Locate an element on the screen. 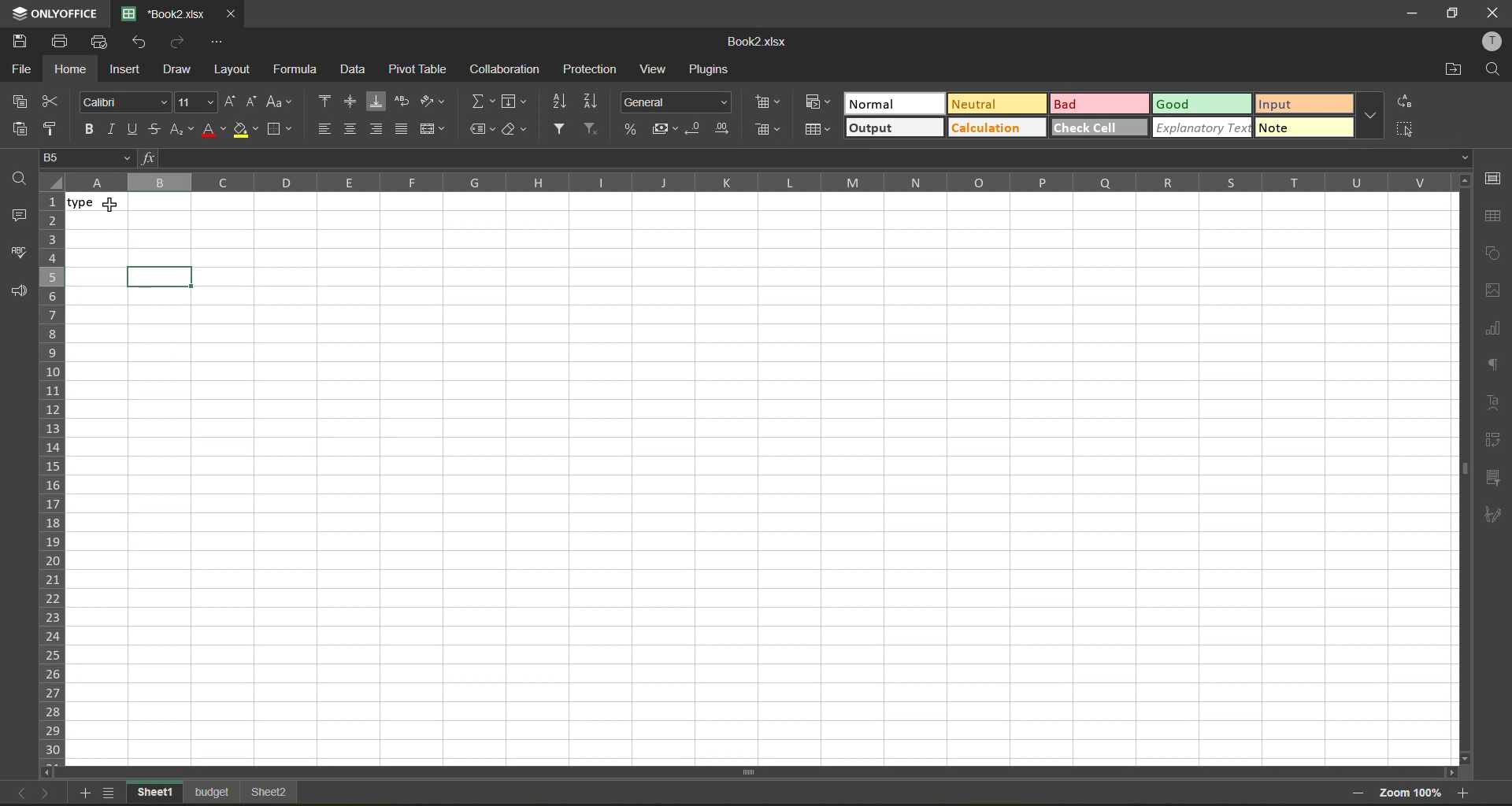 This screenshot has width=1512, height=806. borders is located at coordinates (279, 128).